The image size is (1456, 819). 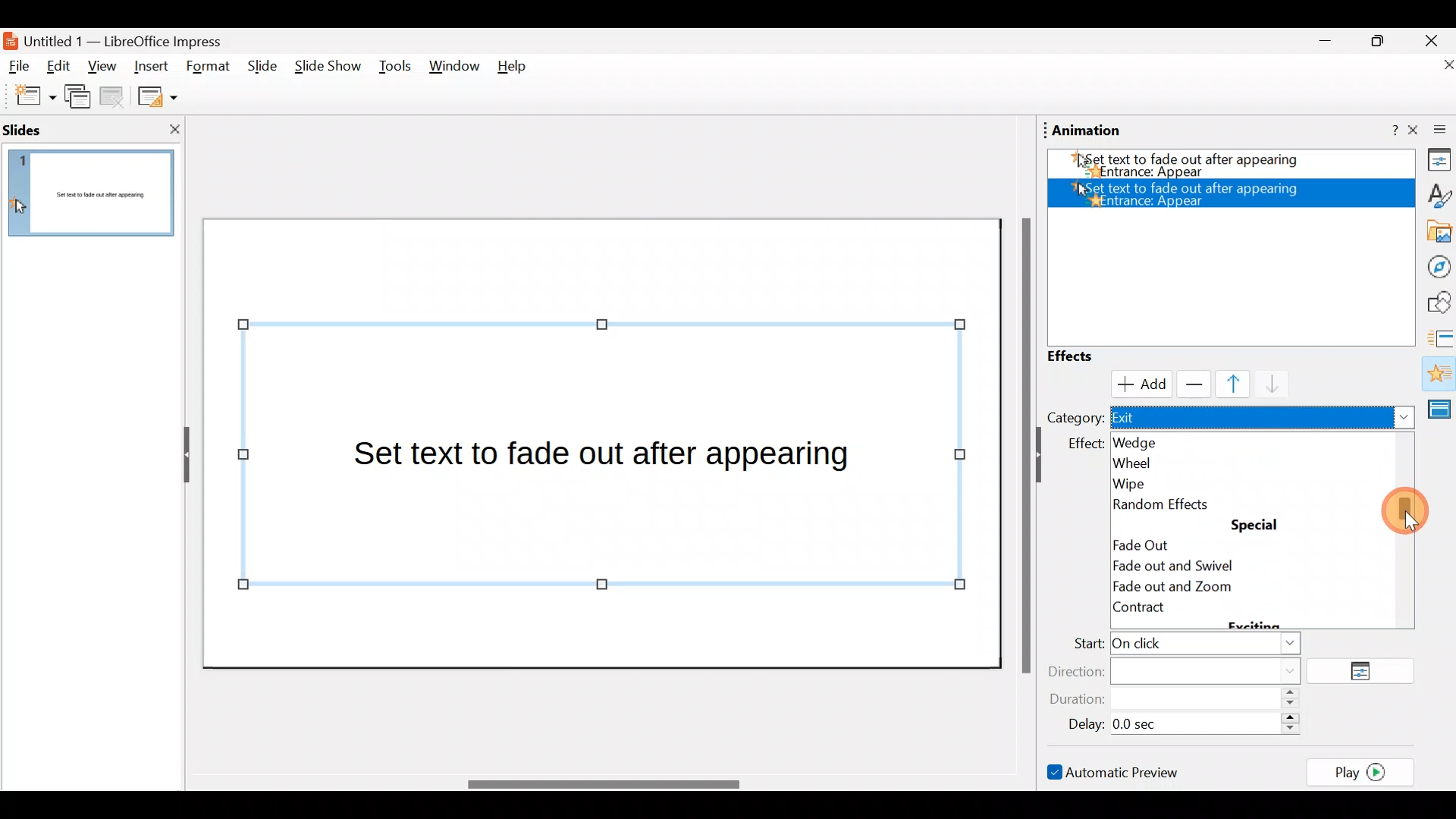 I want to click on Hide, so click(x=180, y=456).